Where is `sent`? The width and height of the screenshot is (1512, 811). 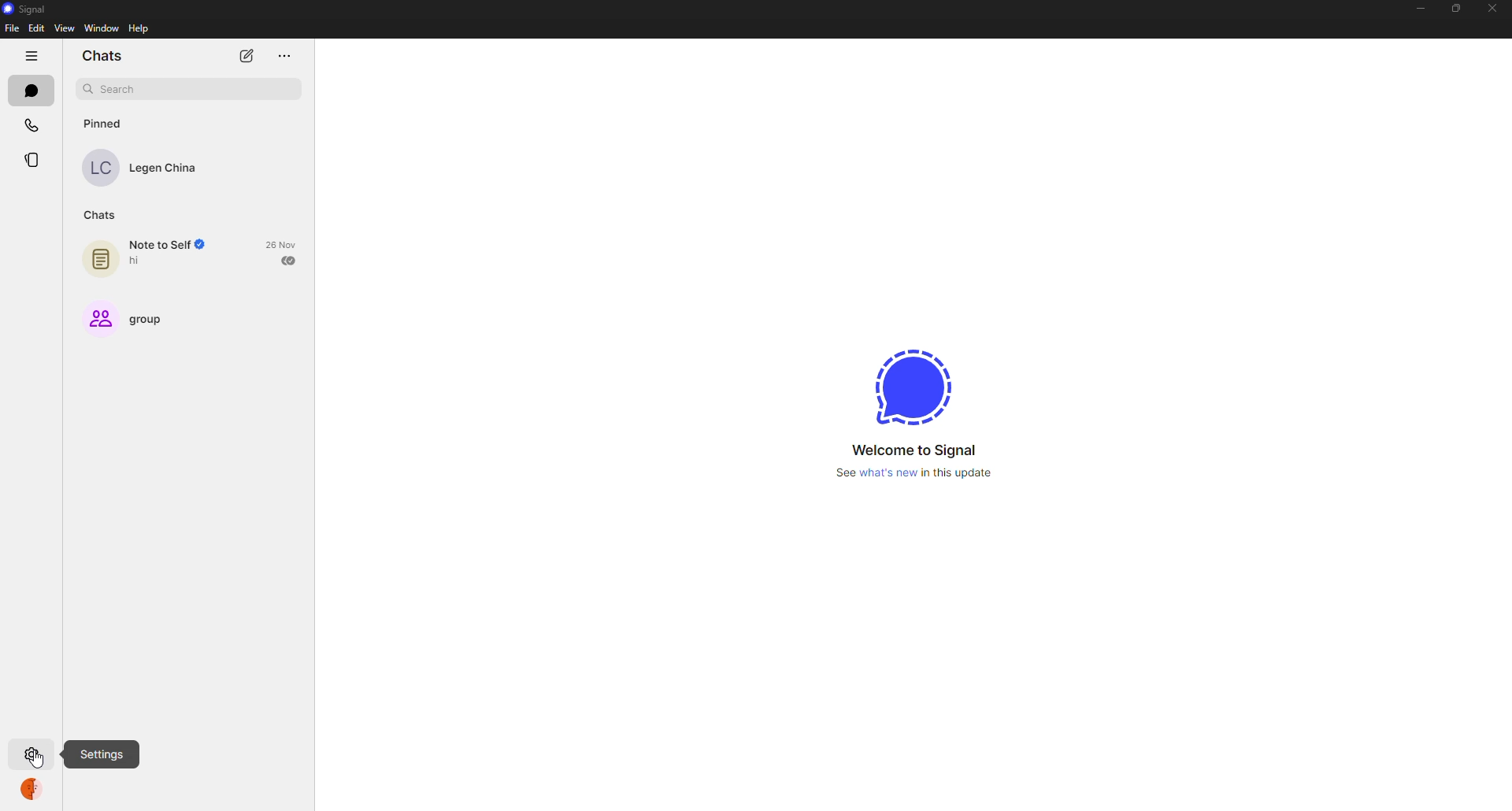
sent is located at coordinates (289, 261).